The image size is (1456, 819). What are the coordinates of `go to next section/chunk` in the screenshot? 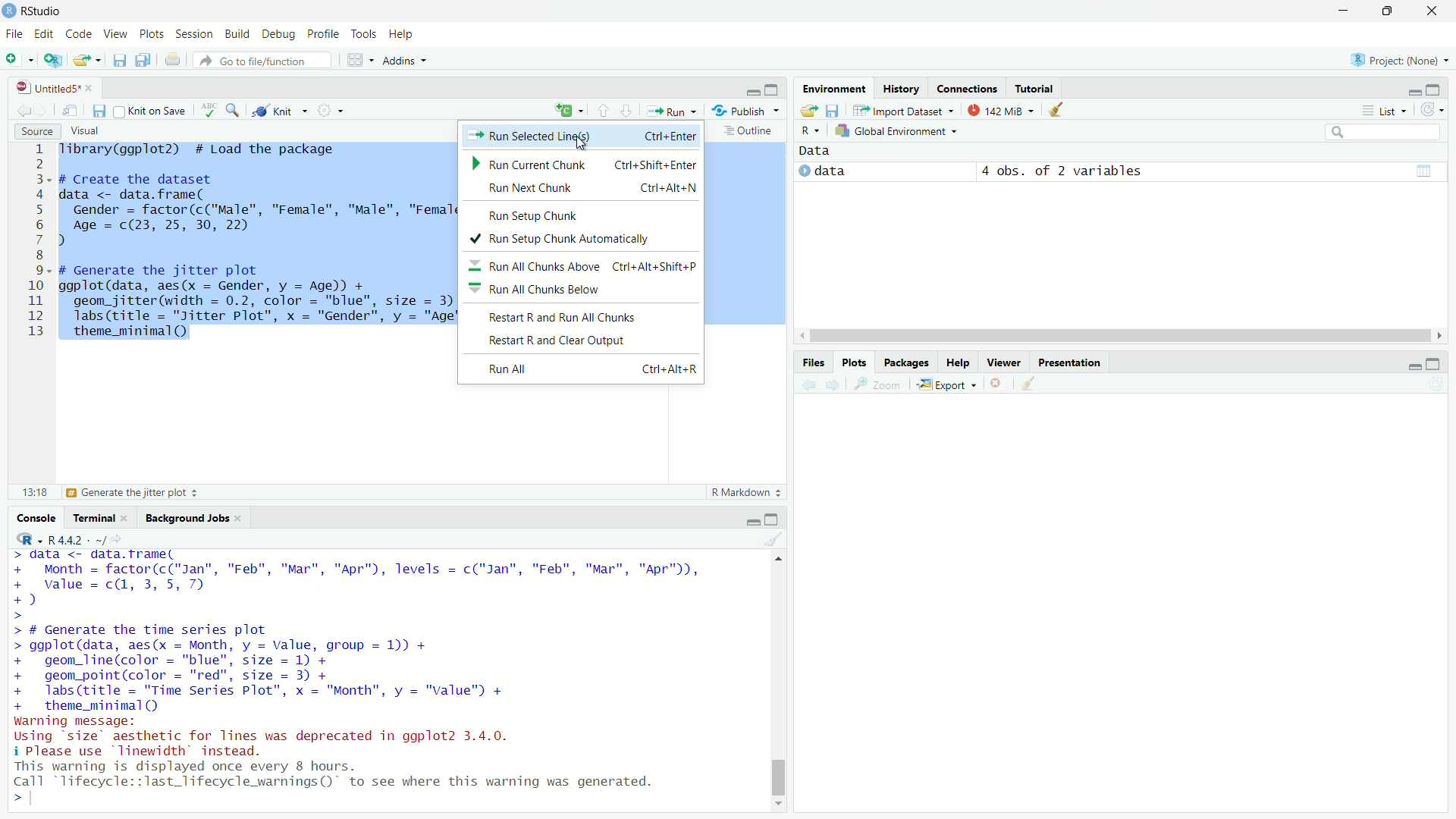 It's located at (627, 110).